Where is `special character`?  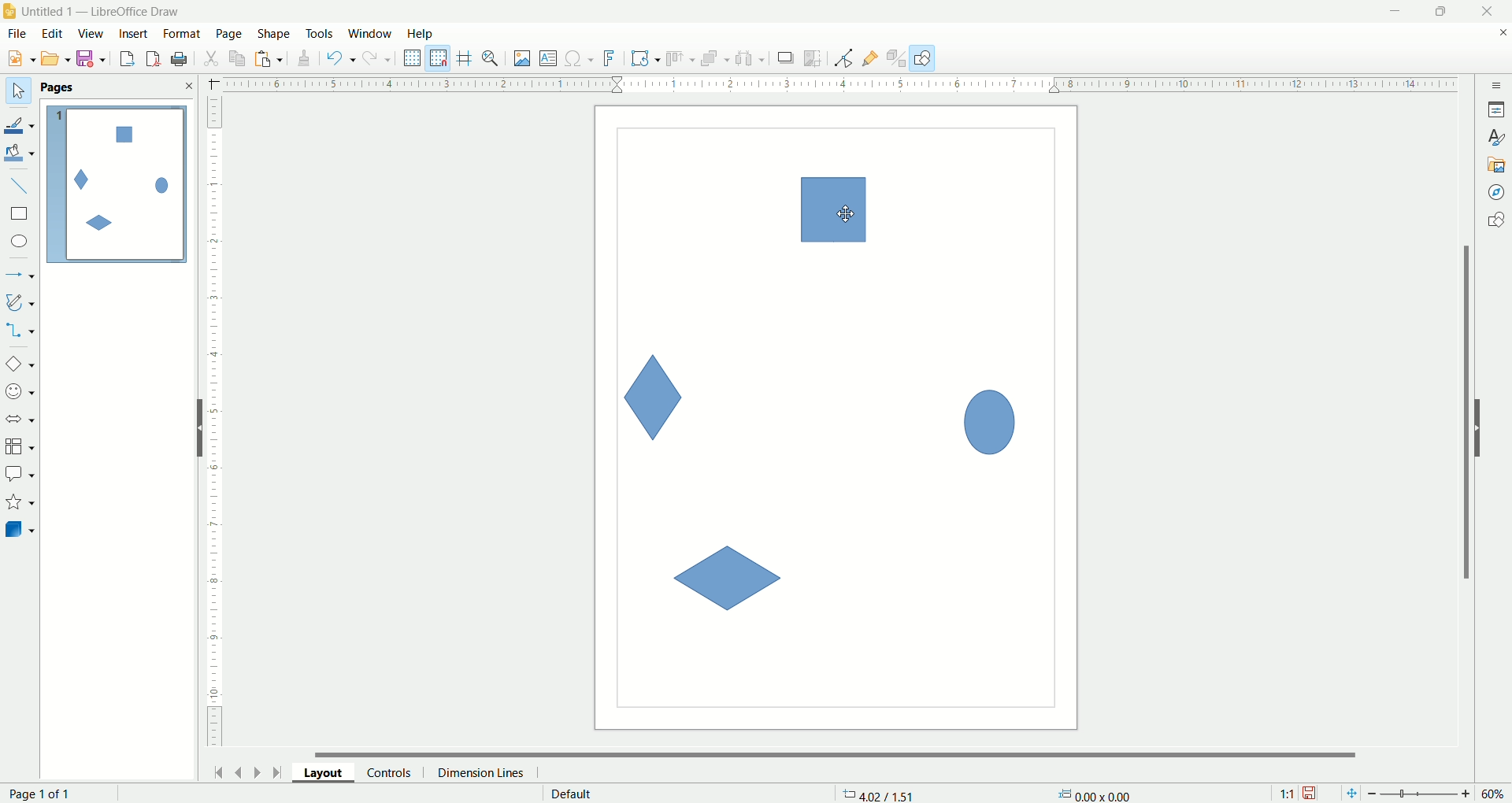
special character is located at coordinates (580, 59).